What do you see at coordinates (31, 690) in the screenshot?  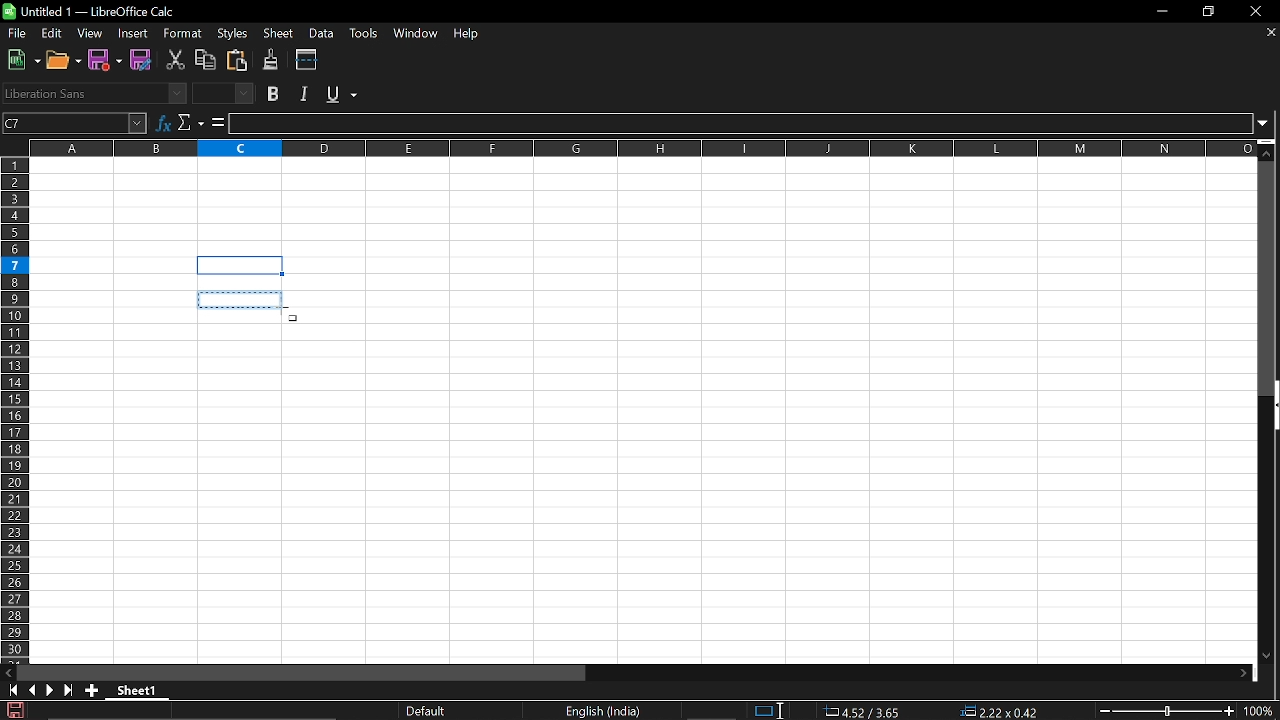 I see `Previous sheet` at bounding box center [31, 690].